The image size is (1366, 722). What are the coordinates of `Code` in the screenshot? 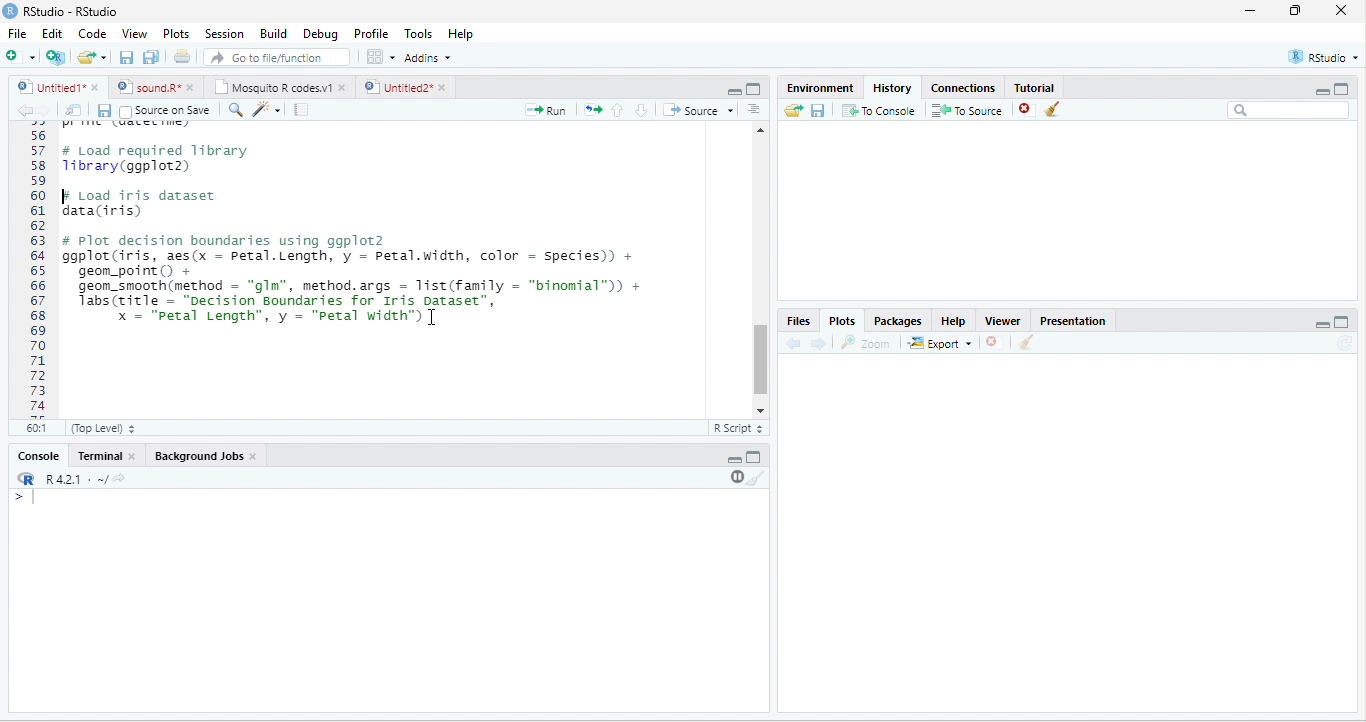 It's located at (92, 33).